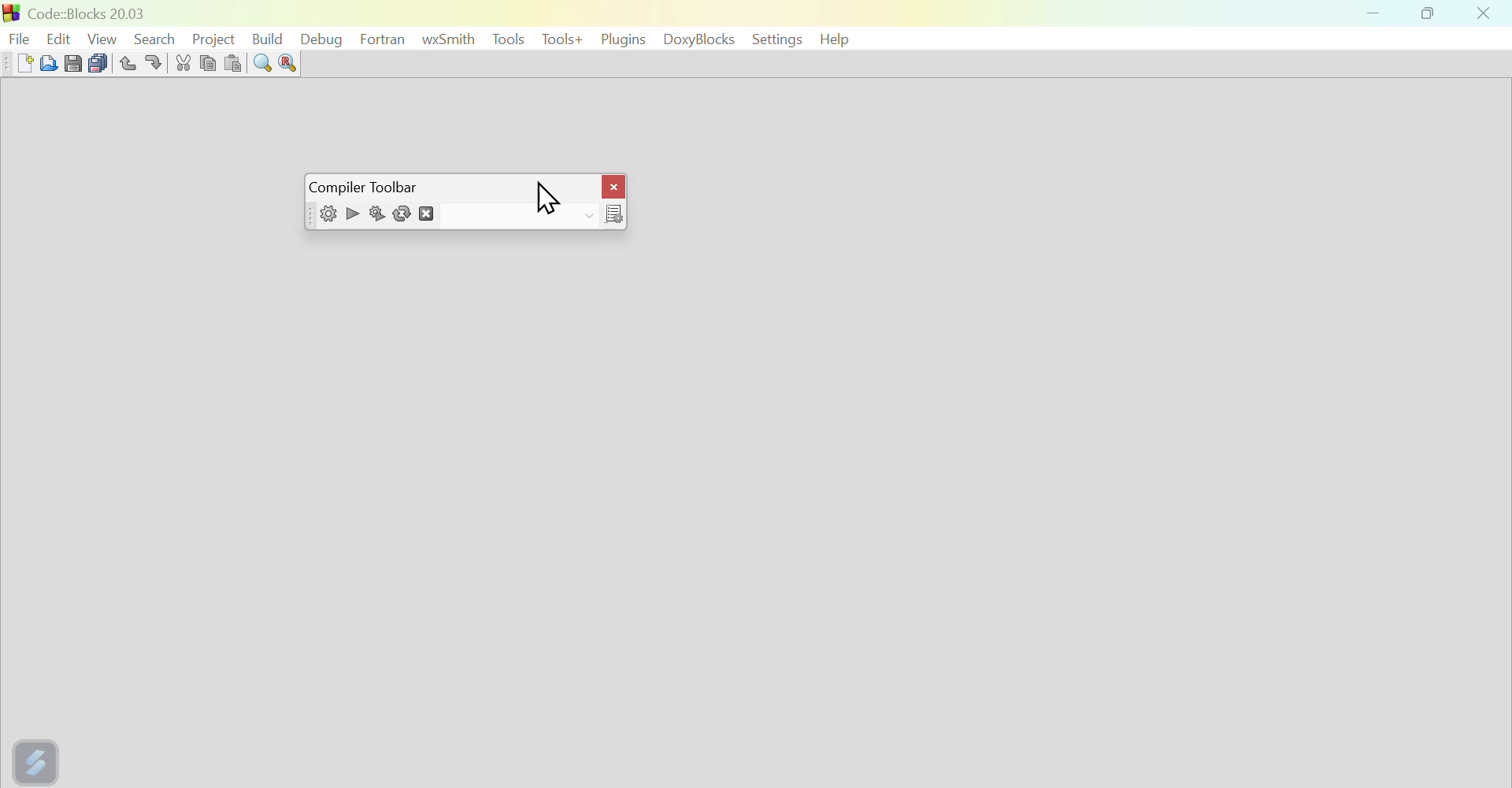  Describe the element at coordinates (560, 41) in the screenshot. I see `Tools+` at that location.